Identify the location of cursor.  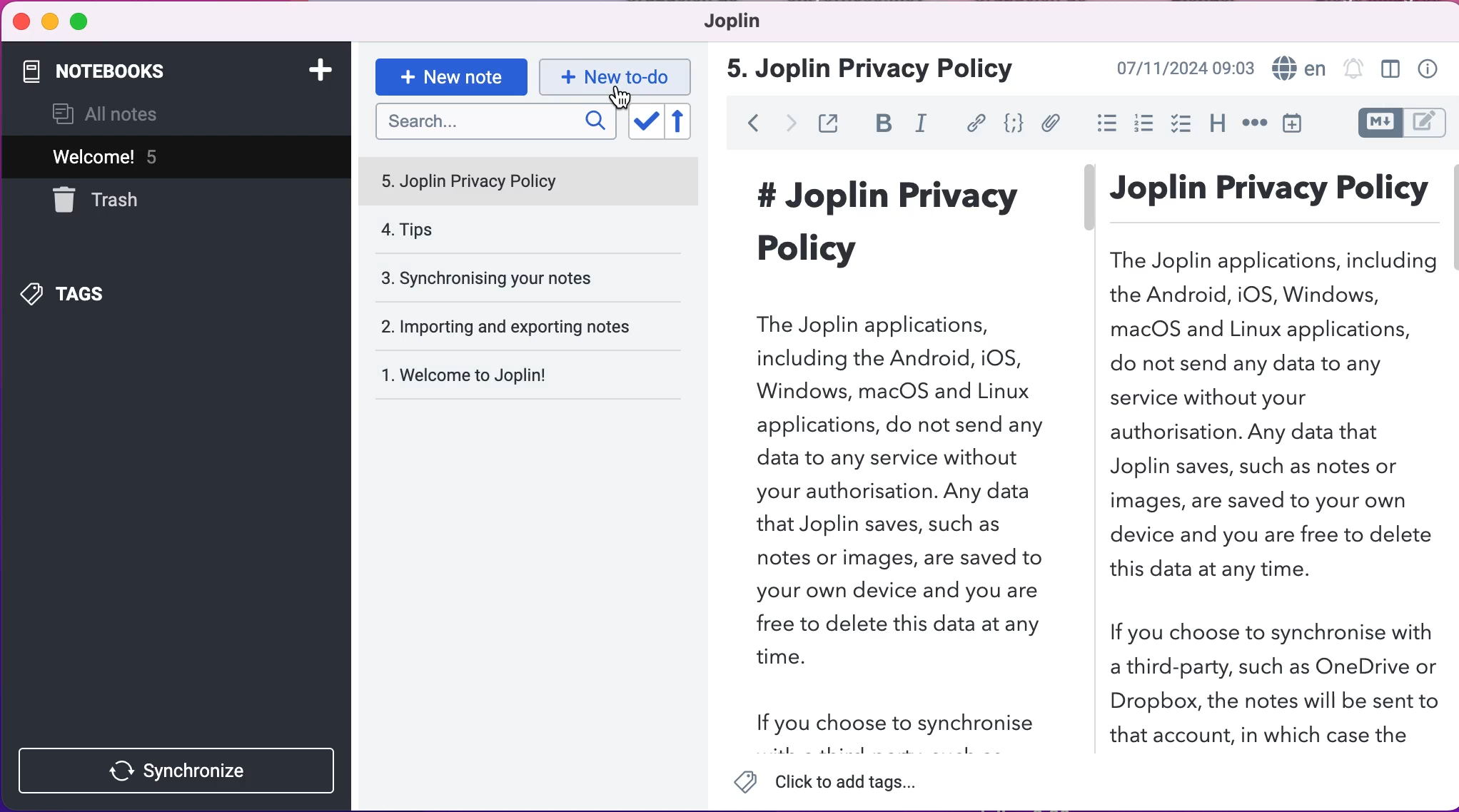
(619, 96).